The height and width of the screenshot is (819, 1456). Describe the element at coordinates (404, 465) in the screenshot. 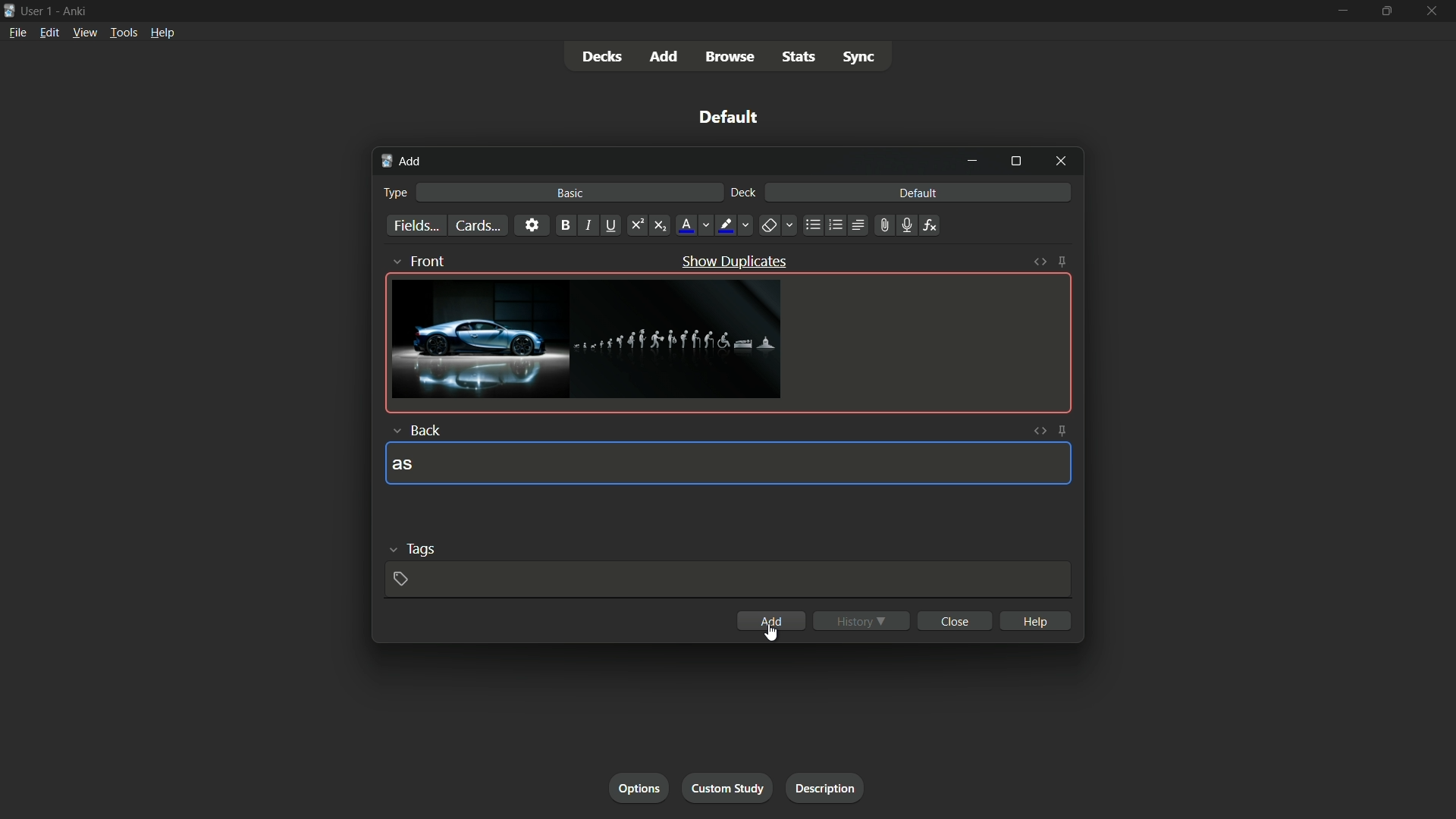

I see `as` at that location.